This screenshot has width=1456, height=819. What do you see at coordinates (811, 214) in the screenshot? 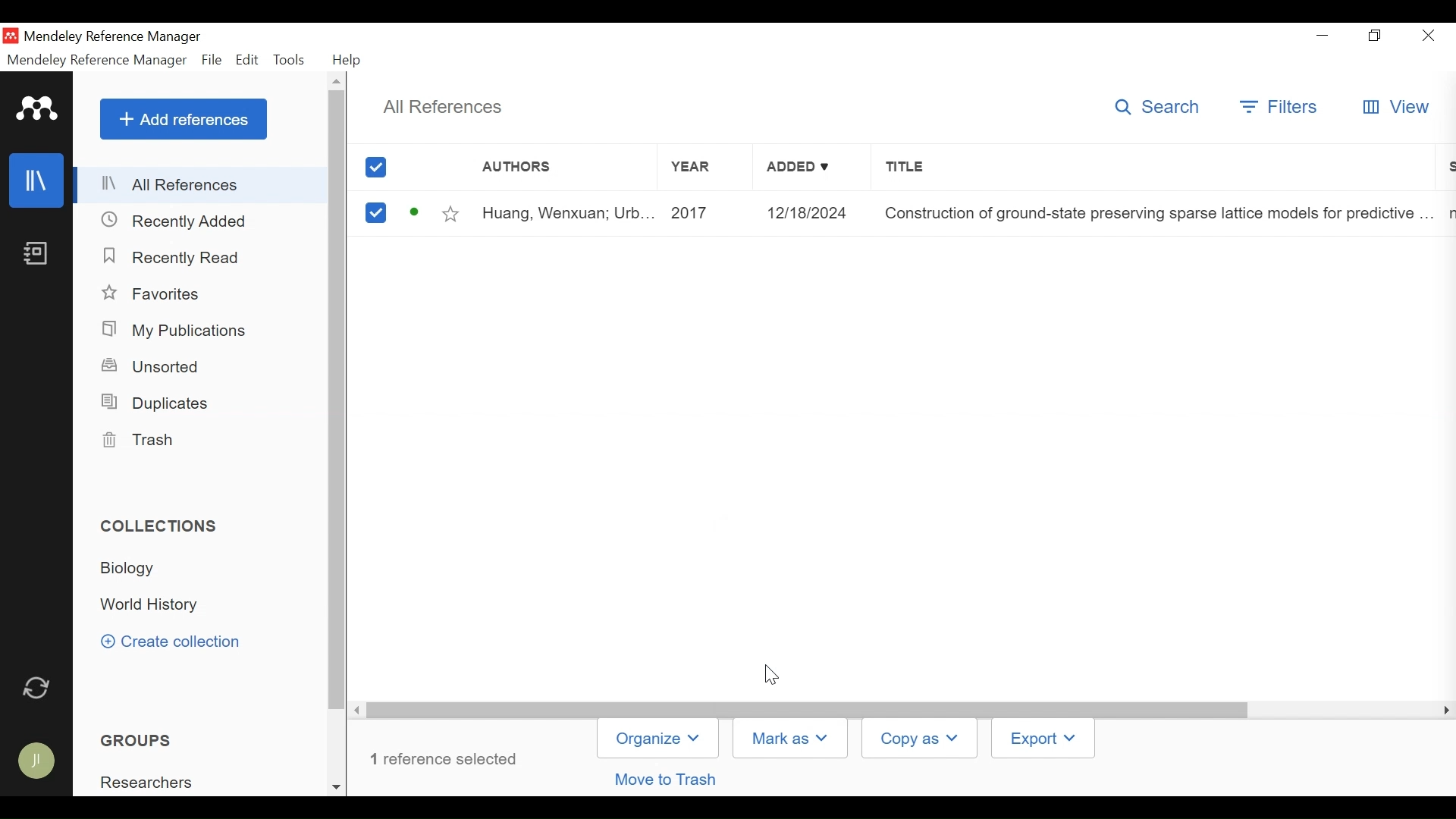
I see `Added` at bounding box center [811, 214].